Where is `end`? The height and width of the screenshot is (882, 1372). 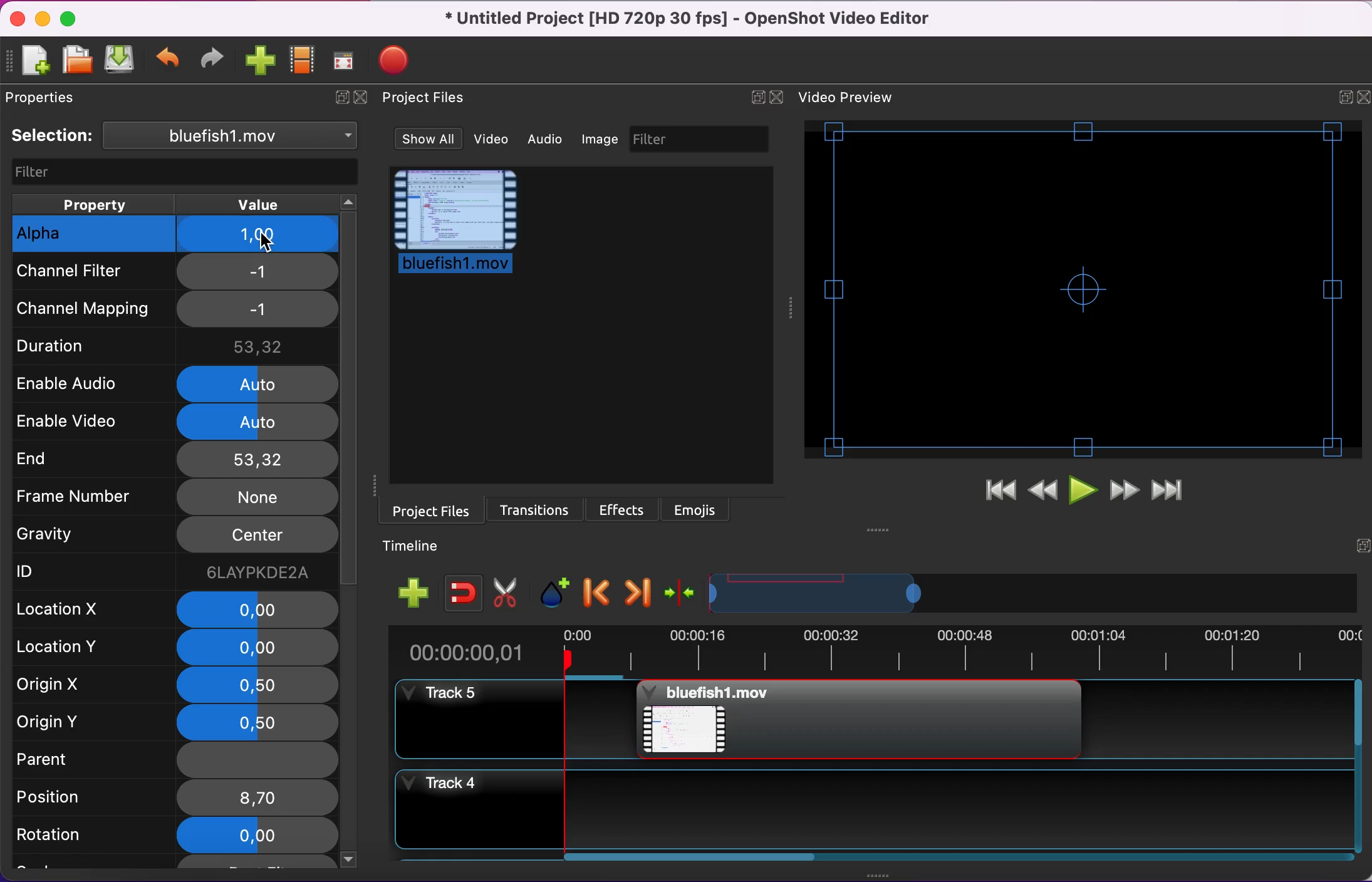 end is located at coordinates (83, 457).